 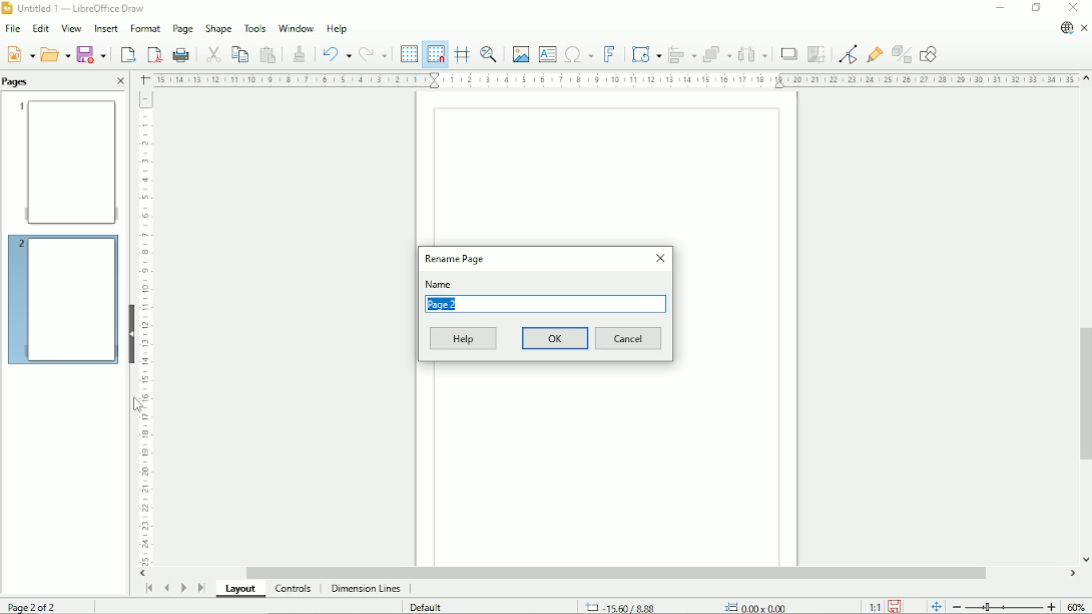 I want to click on Help, so click(x=464, y=339).